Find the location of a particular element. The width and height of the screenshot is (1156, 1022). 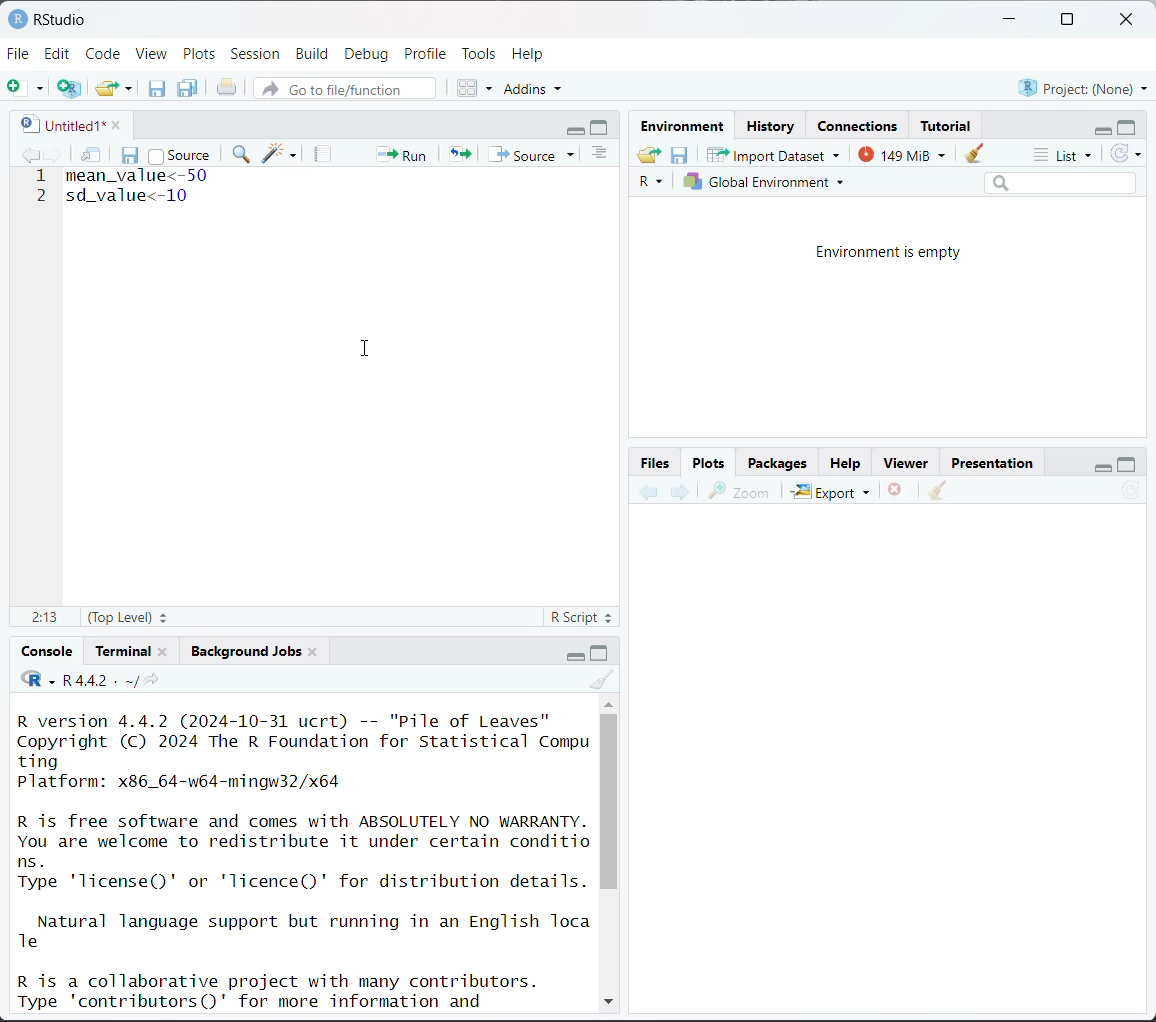

(top level) is located at coordinates (130, 617).